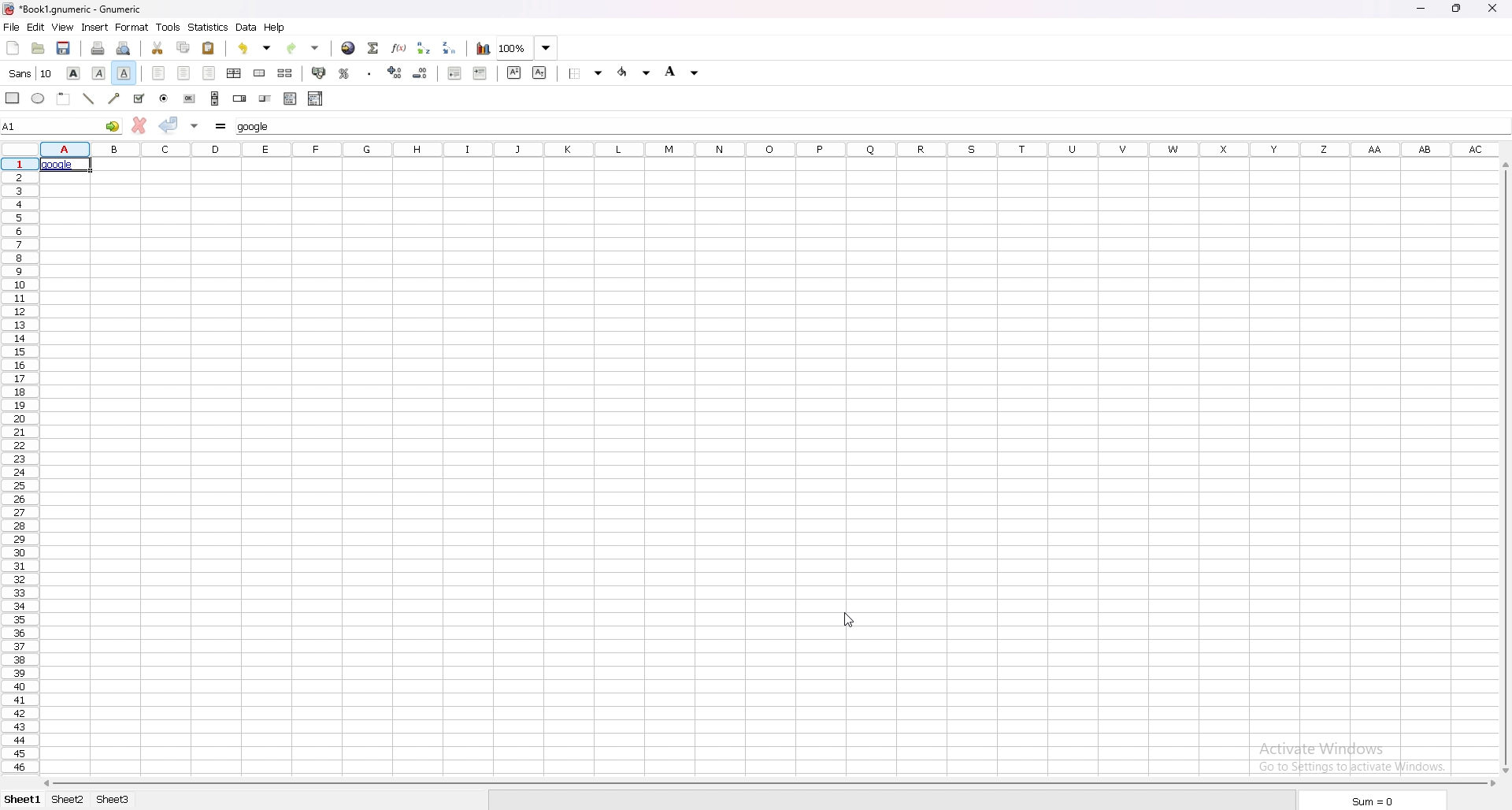  I want to click on list, so click(290, 98).